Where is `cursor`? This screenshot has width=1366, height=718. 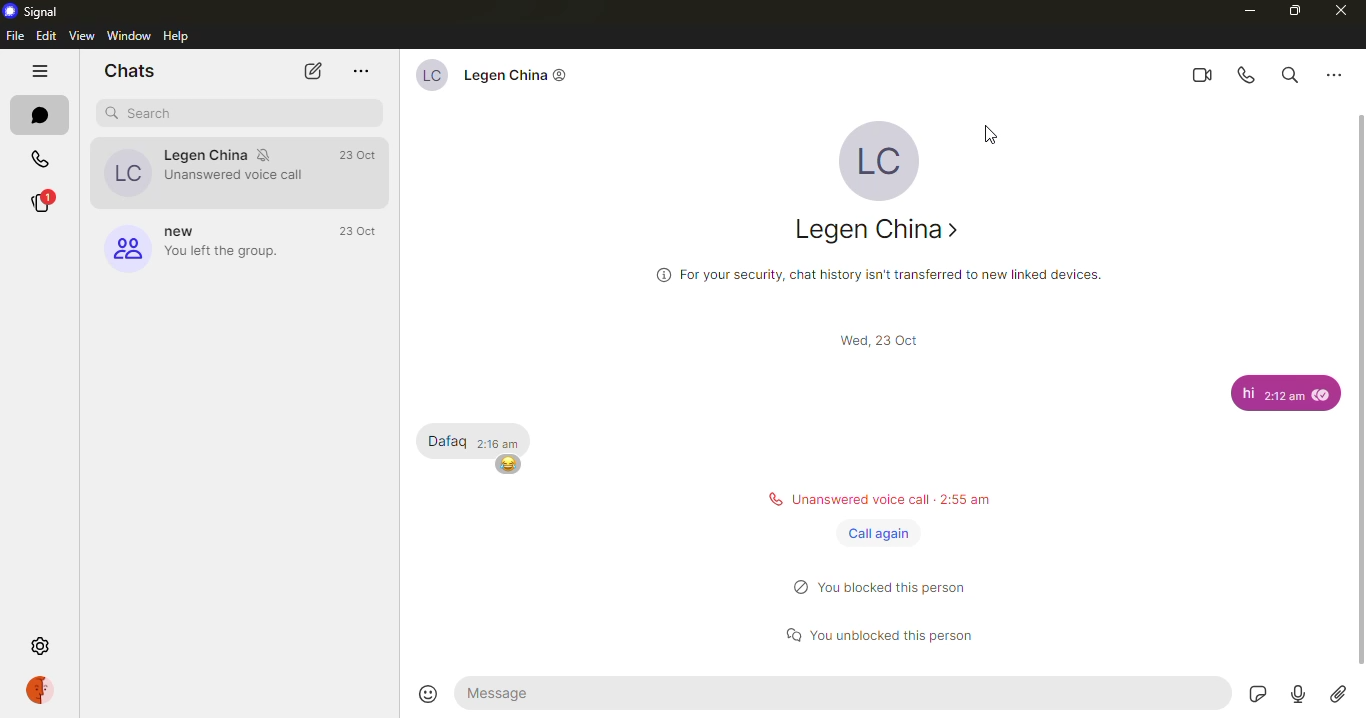 cursor is located at coordinates (989, 135).